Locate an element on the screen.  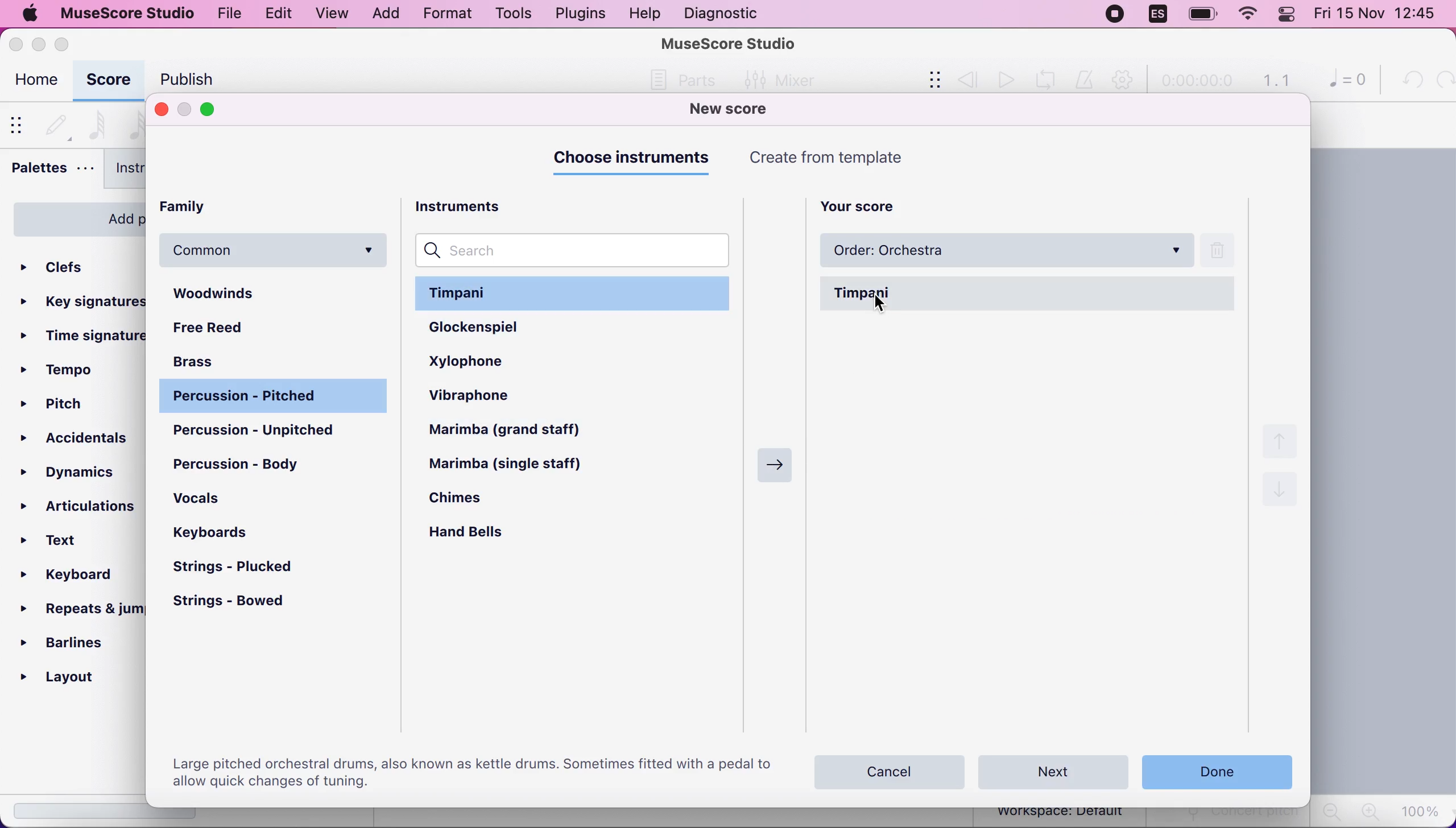
marimba (single staff) is located at coordinates (519, 465).